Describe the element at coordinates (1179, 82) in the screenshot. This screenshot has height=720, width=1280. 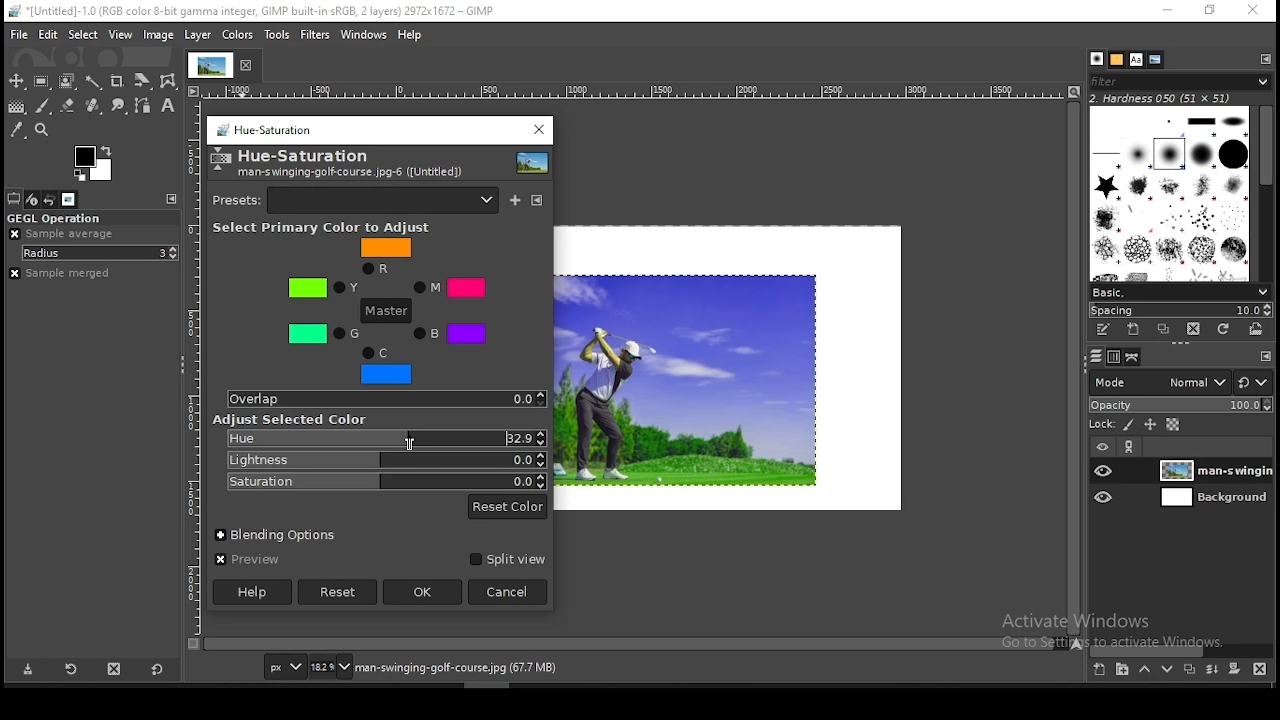
I see `brushes filter` at that location.